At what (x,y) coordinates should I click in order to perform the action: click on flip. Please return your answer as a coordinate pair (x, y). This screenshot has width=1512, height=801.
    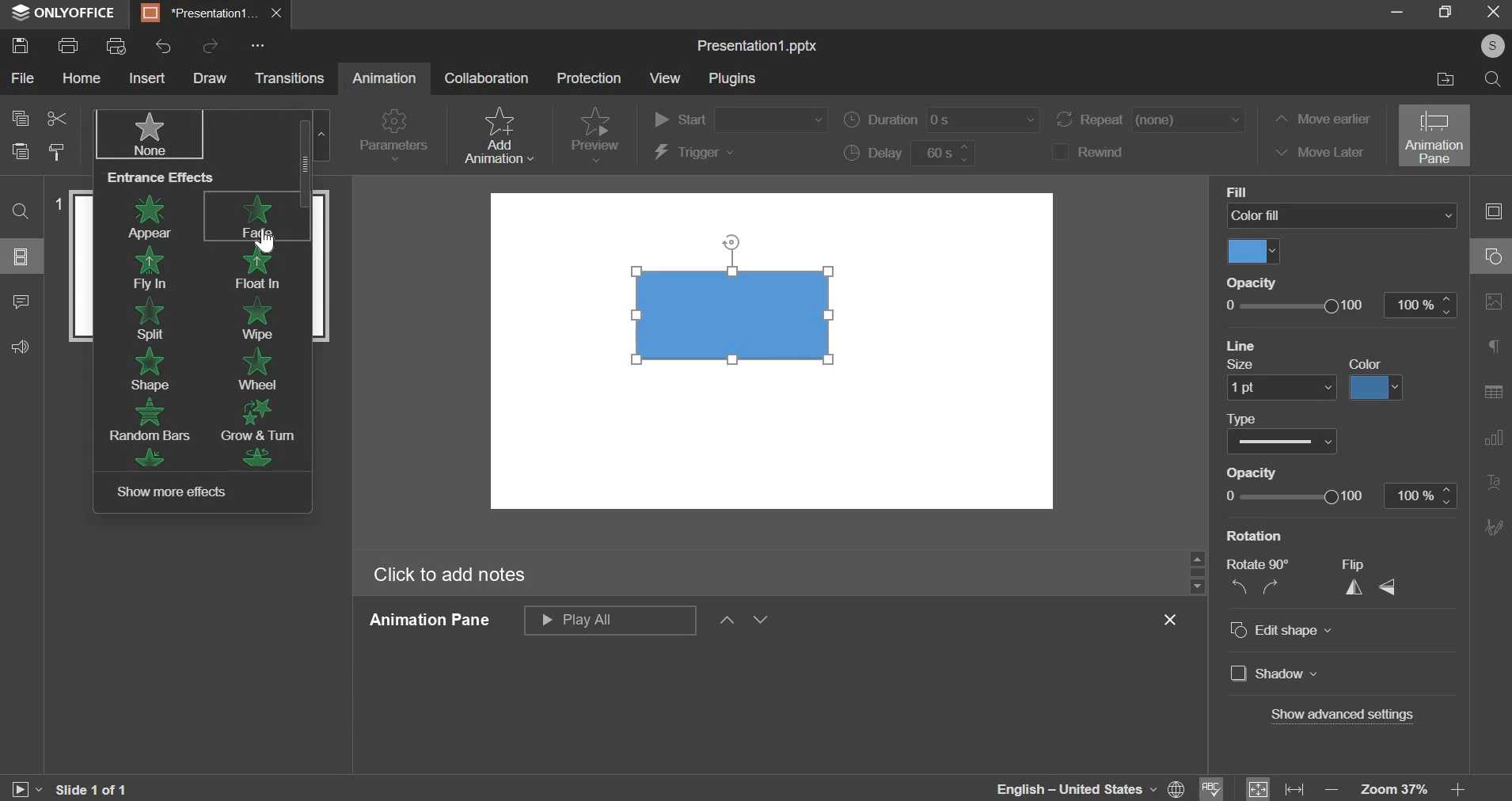
    Looking at the image, I should click on (1368, 575).